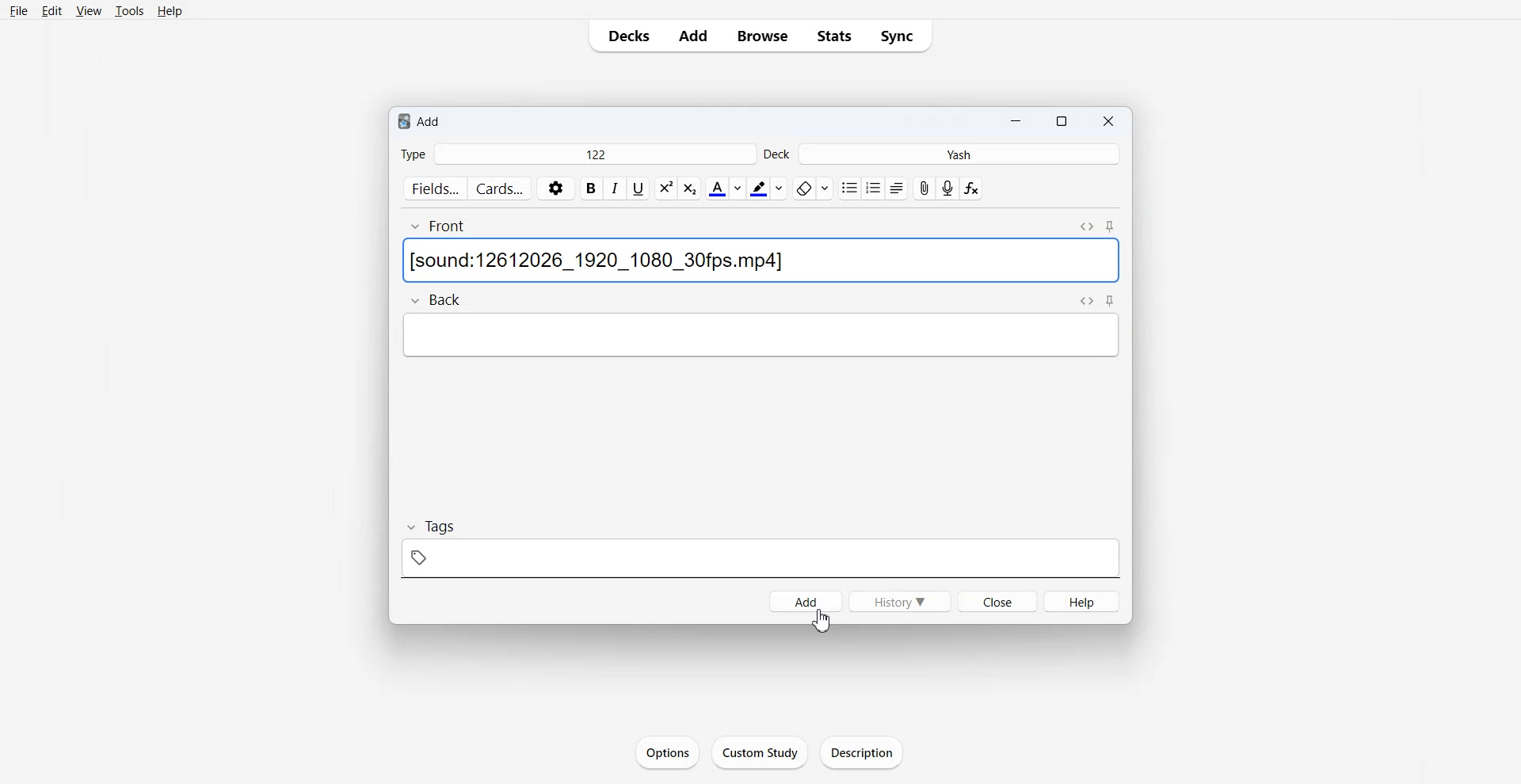 The width and height of the screenshot is (1521, 784). Describe the element at coordinates (899, 601) in the screenshot. I see `History` at that location.